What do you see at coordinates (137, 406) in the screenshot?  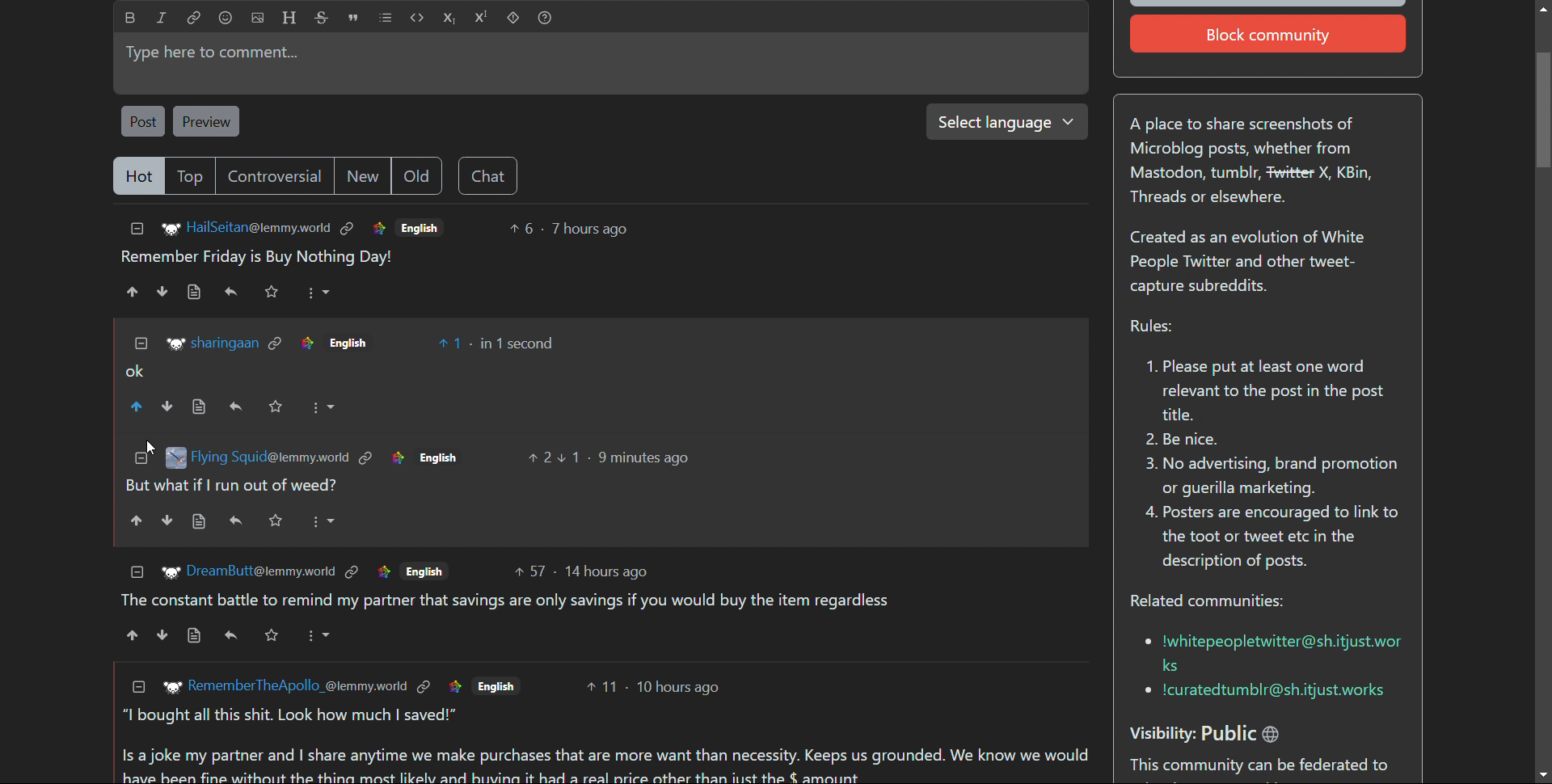 I see `upvotes` at bounding box center [137, 406].